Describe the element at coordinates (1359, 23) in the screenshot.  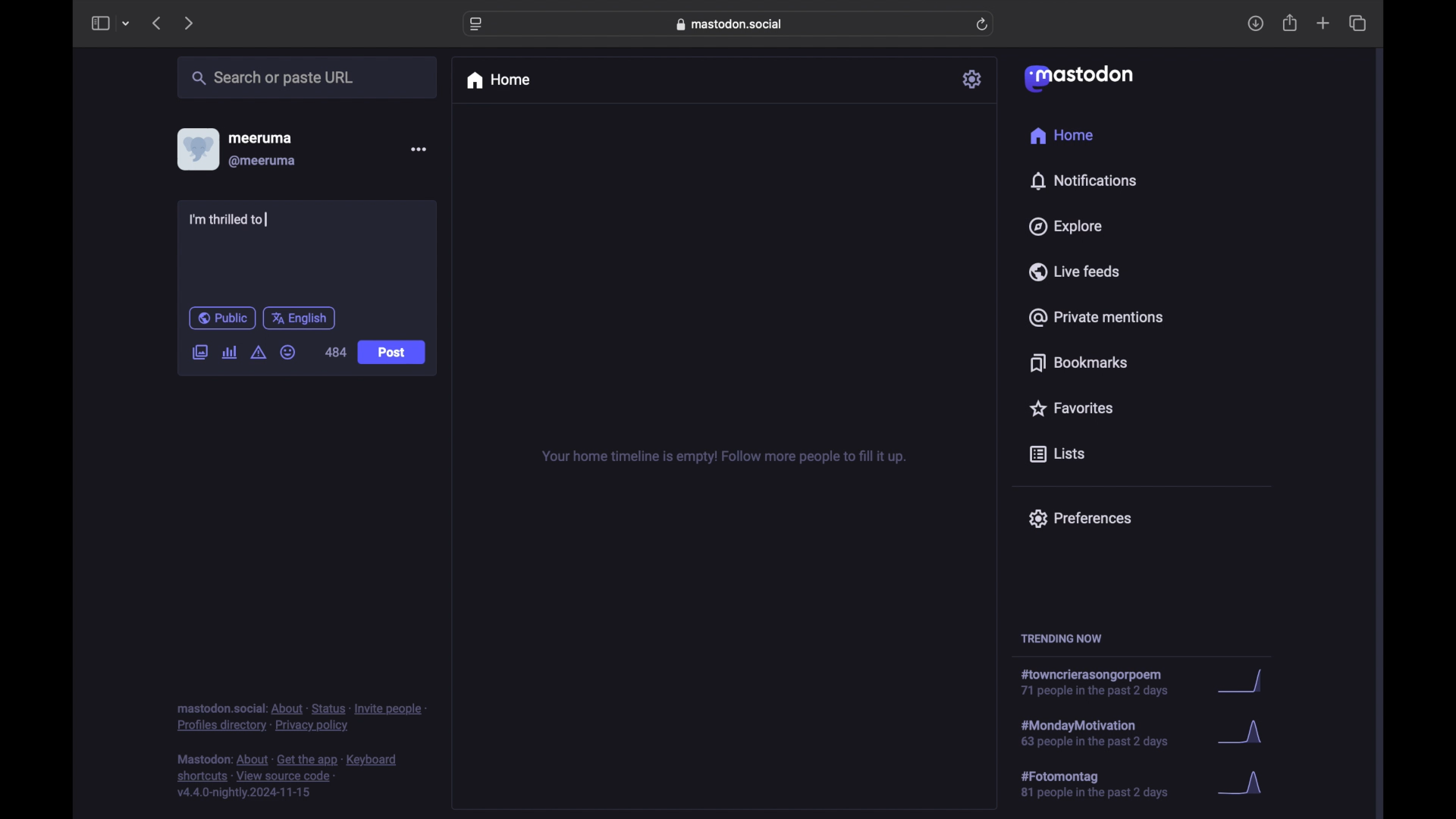
I see `show tab overview` at that location.